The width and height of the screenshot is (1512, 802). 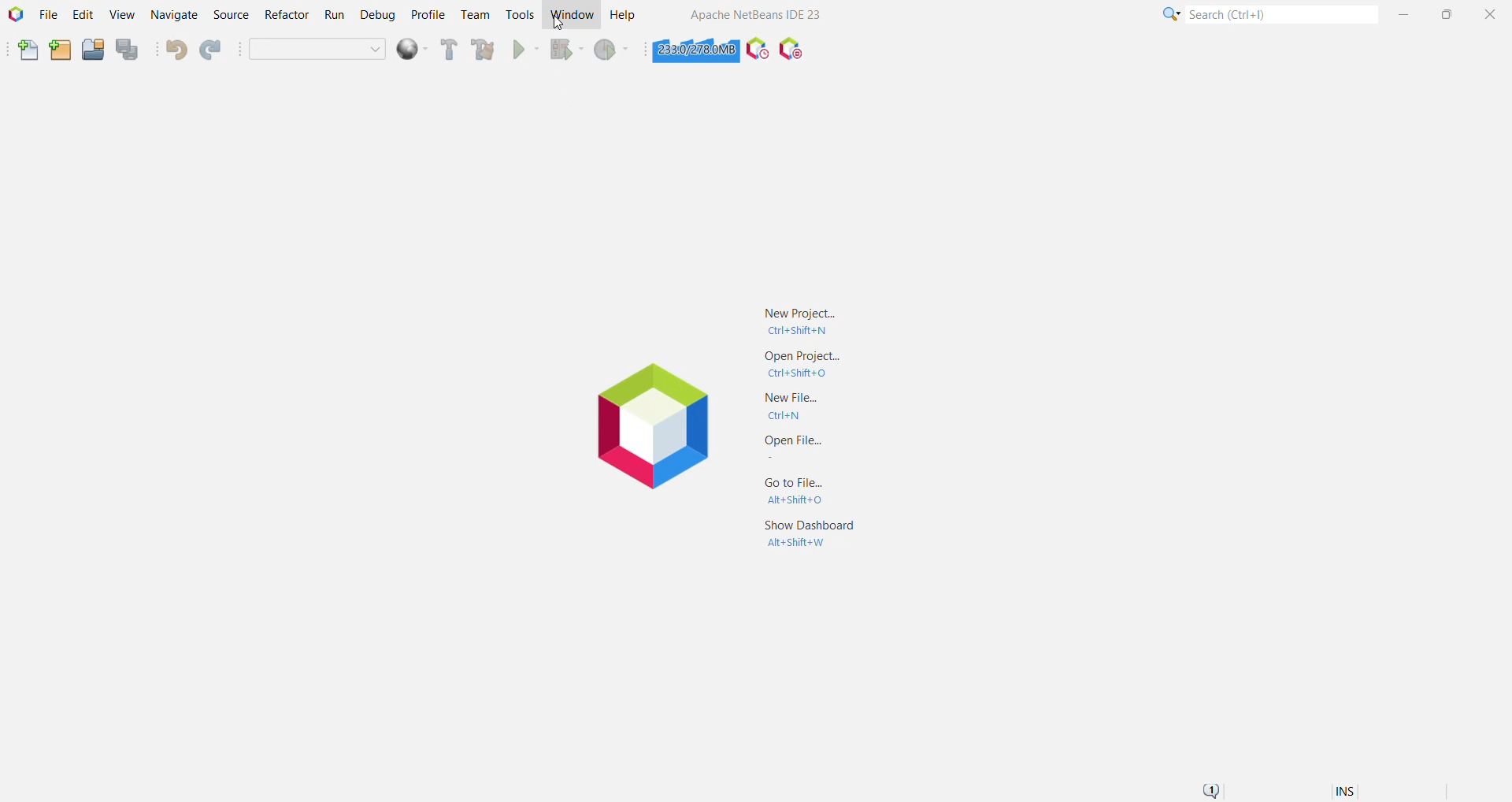 What do you see at coordinates (24, 50) in the screenshot?
I see `New File` at bounding box center [24, 50].